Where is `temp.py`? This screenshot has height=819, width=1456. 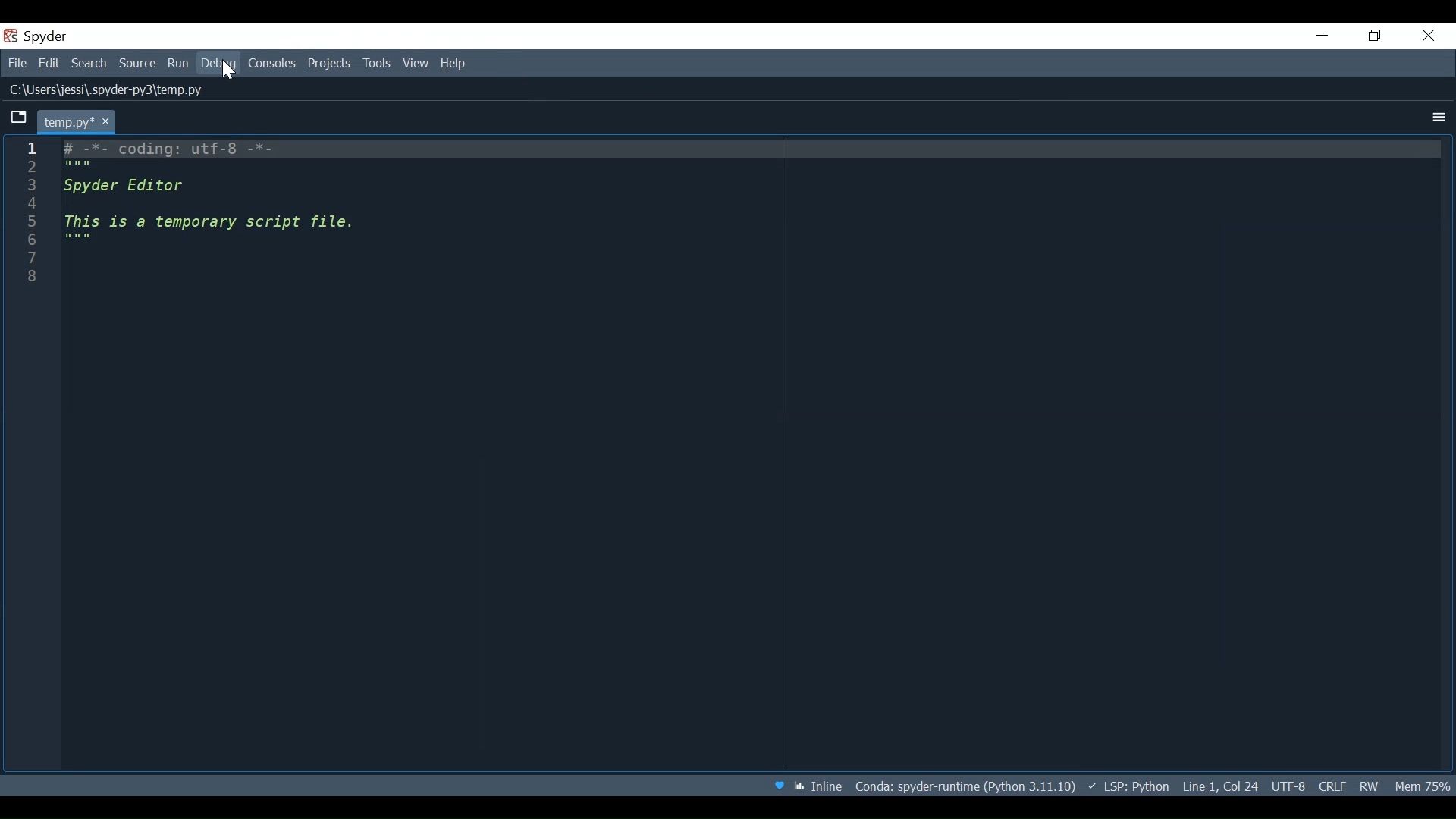 temp.py is located at coordinates (76, 122).